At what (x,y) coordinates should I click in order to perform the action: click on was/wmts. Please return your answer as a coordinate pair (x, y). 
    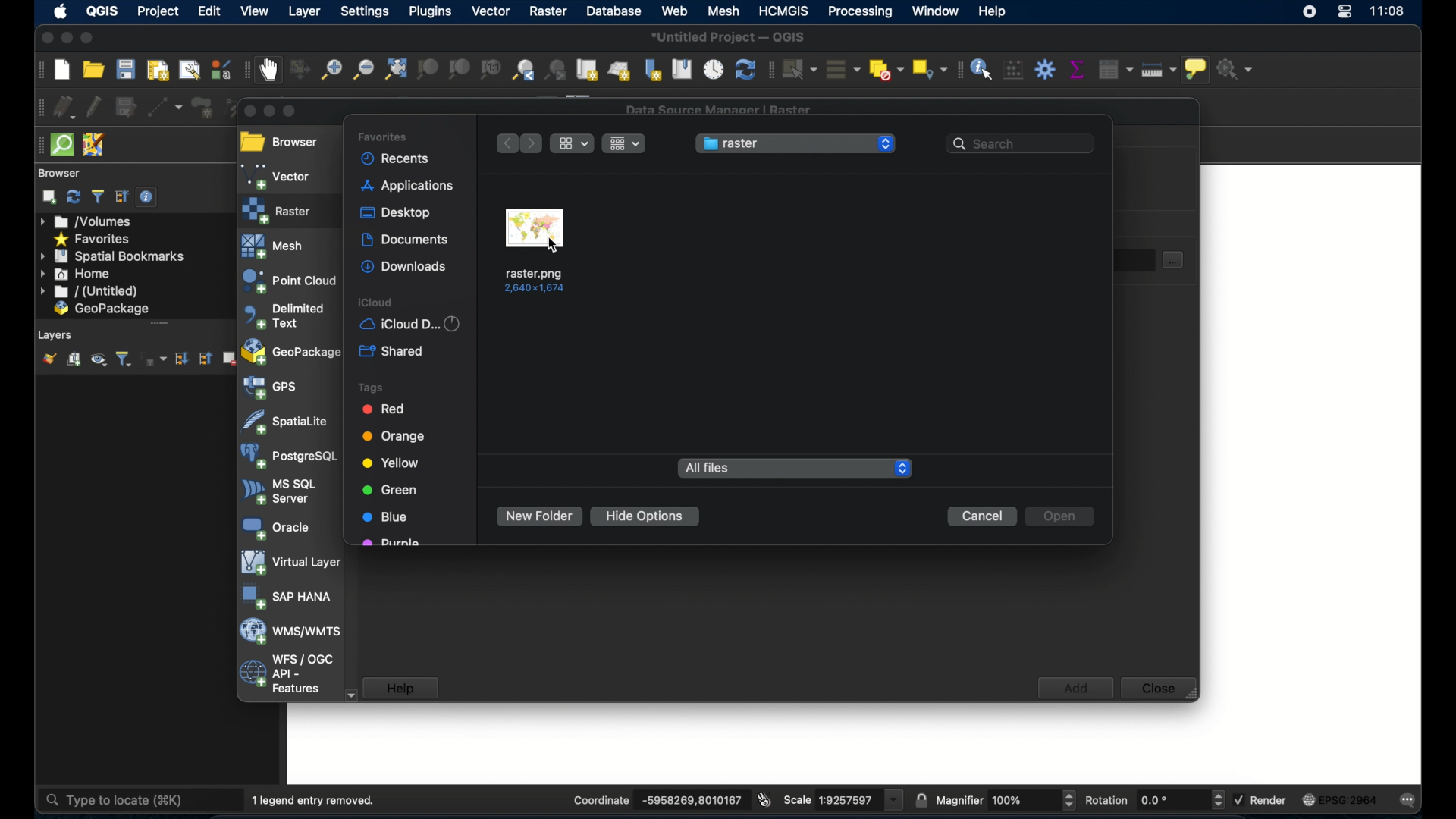
    Looking at the image, I should click on (292, 631).